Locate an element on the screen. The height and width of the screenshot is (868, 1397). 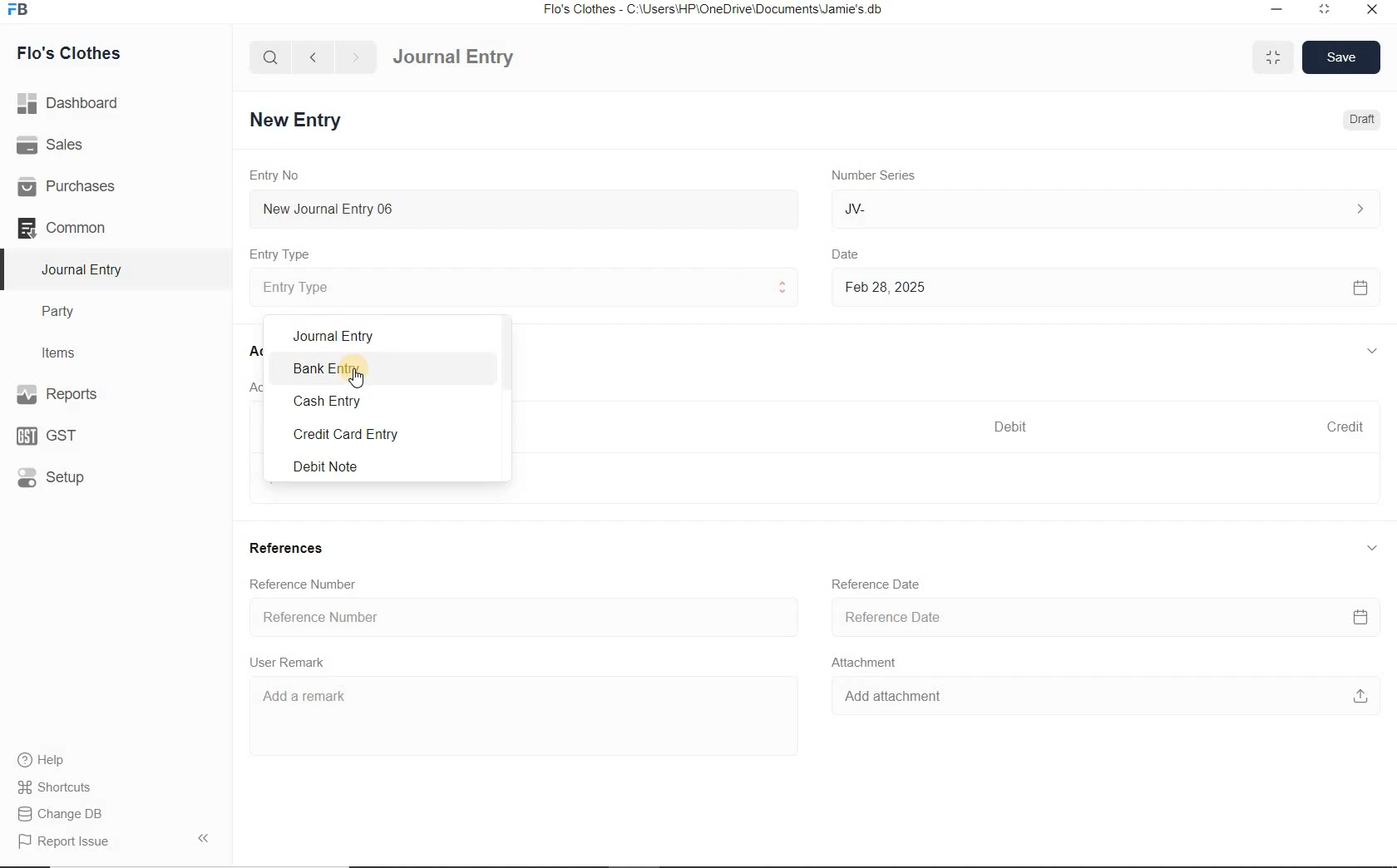
References is located at coordinates (292, 550).